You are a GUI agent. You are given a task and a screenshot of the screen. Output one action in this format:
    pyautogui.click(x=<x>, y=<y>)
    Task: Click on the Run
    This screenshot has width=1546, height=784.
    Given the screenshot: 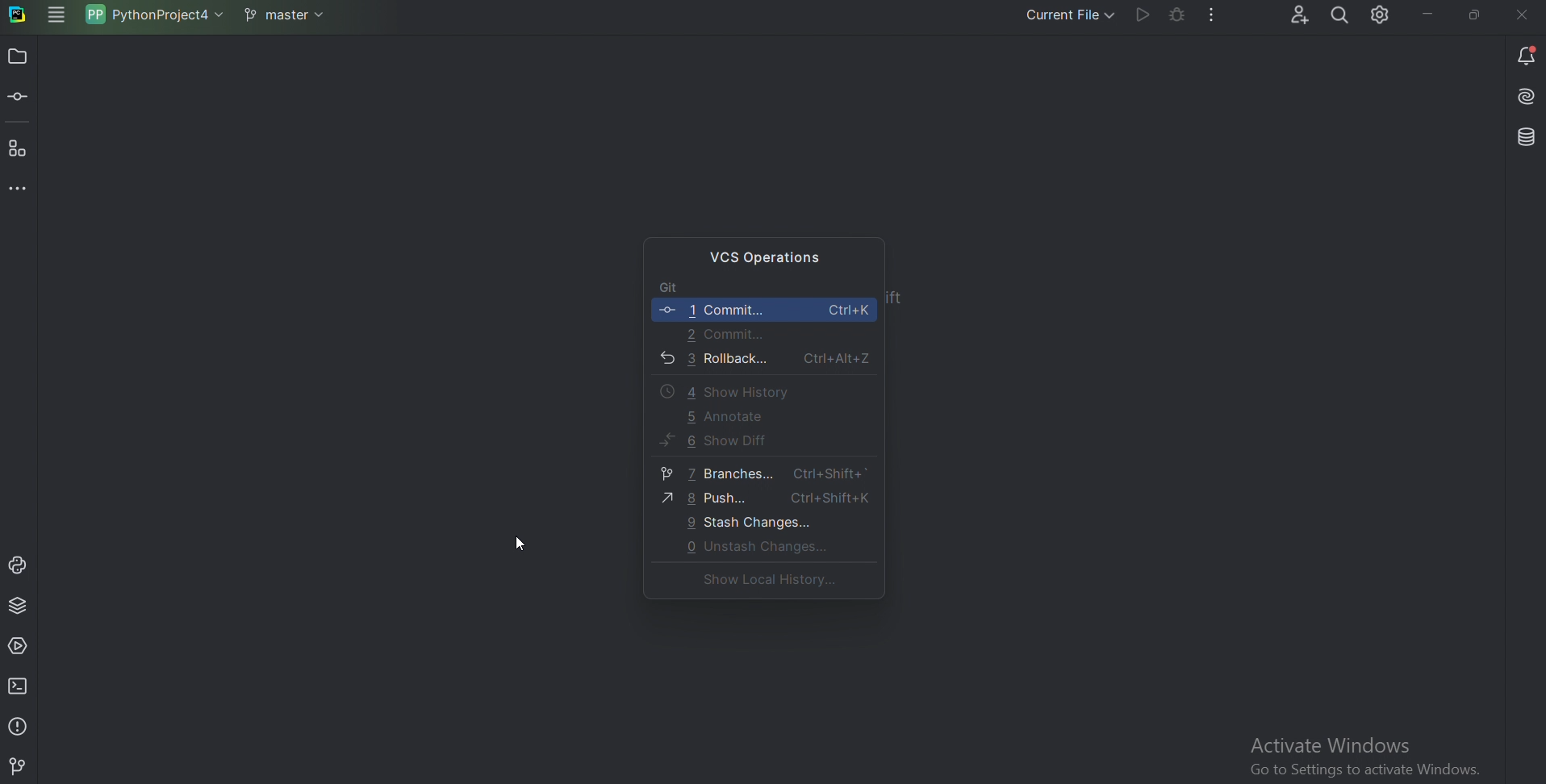 What is the action you would take?
    pyautogui.click(x=1138, y=17)
    